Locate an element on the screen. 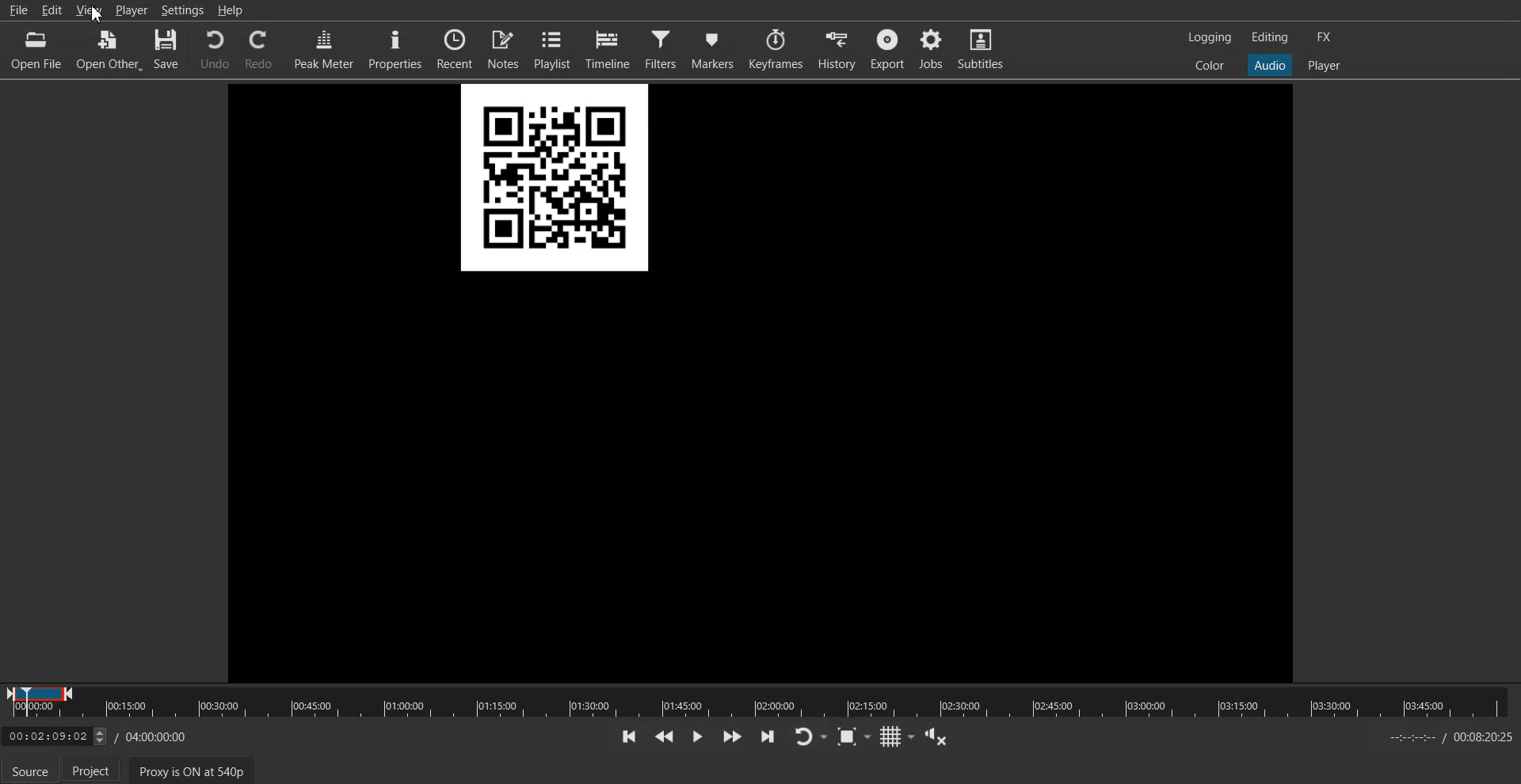  Time Sheet is located at coordinates (1450, 737).